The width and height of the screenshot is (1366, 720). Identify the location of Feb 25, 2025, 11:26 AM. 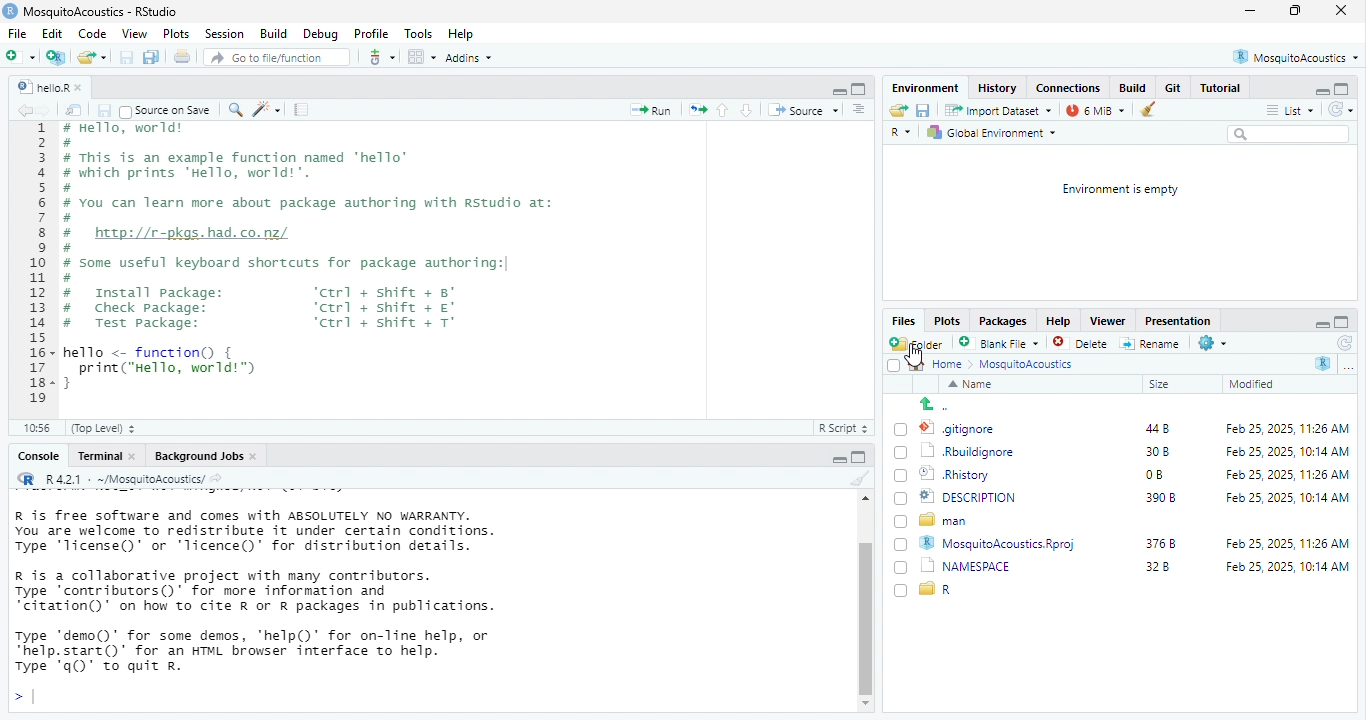
(1284, 543).